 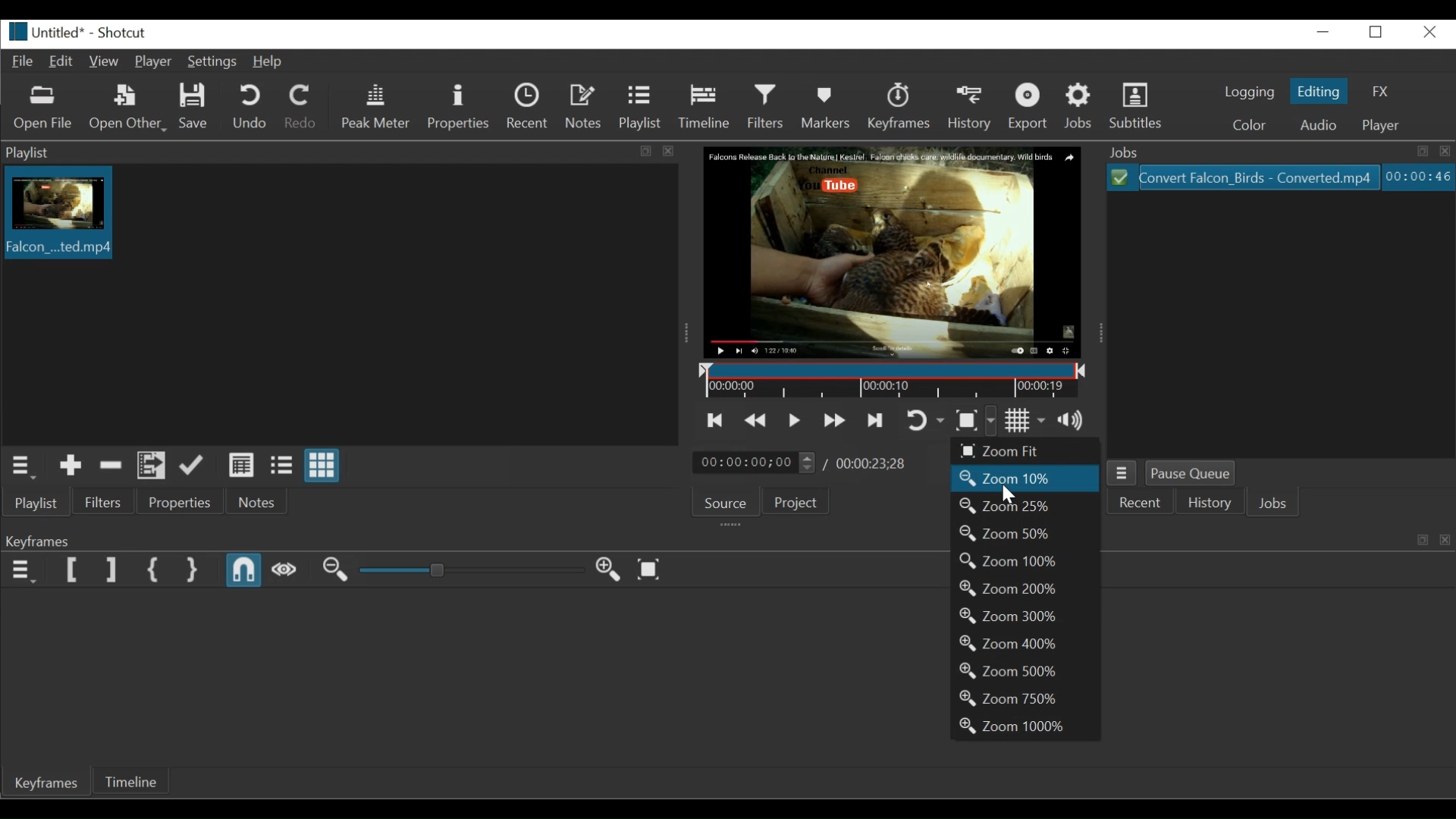 I want to click on Adjust Zoom Keyframe, so click(x=472, y=570).